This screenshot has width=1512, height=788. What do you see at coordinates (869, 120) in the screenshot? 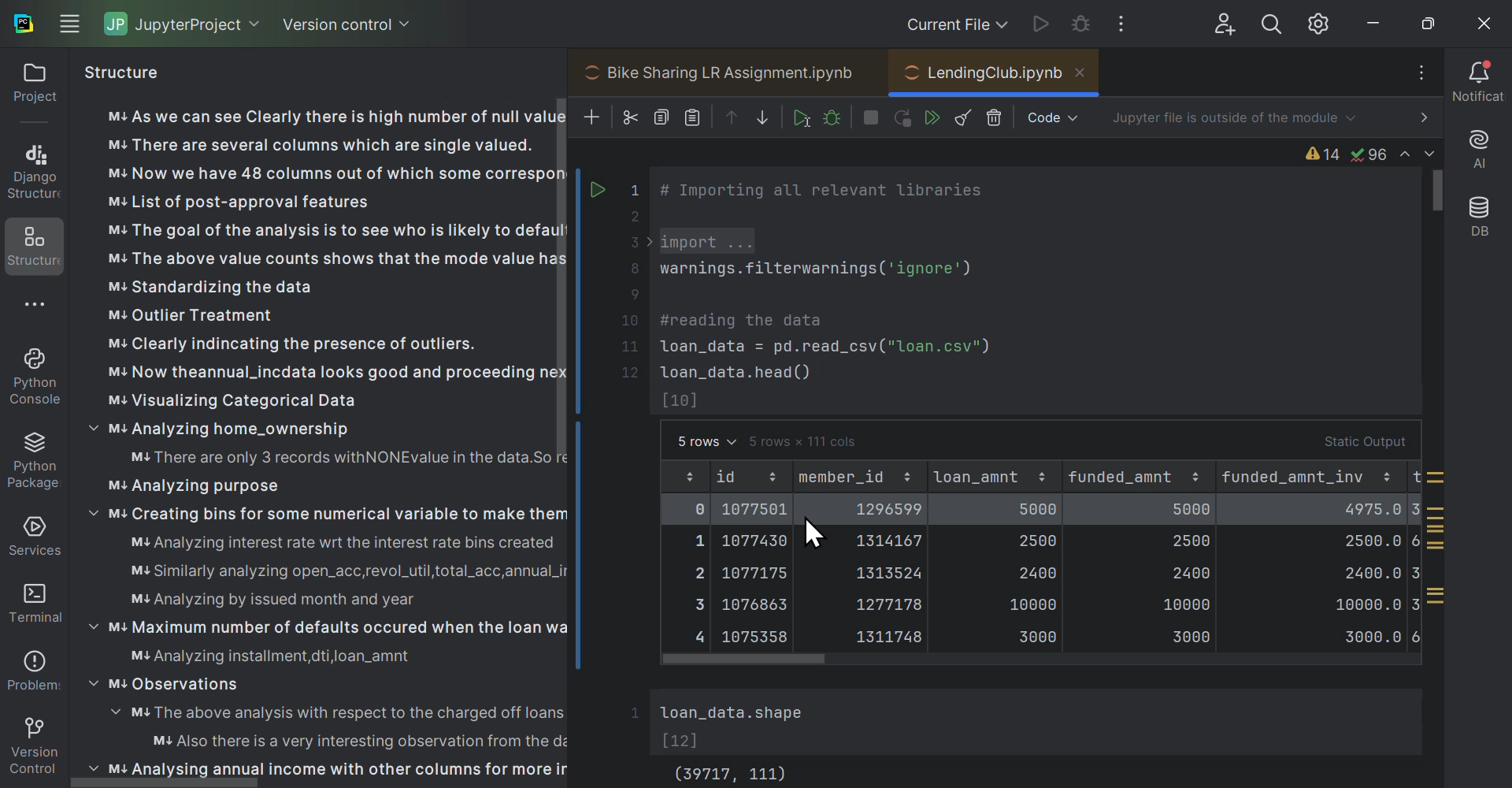
I see `Interrupt Kernel` at bounding box center [869, 120].